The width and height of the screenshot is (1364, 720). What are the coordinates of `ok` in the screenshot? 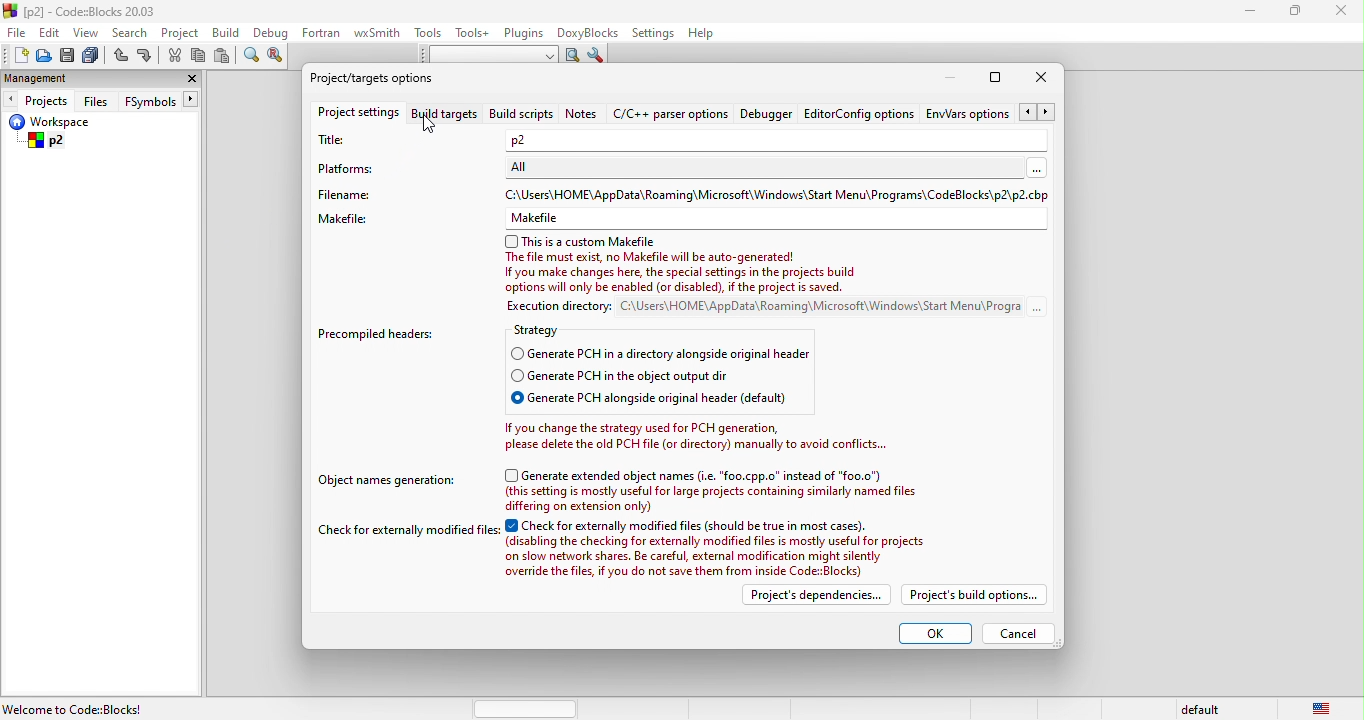 It's located at (932, 631).